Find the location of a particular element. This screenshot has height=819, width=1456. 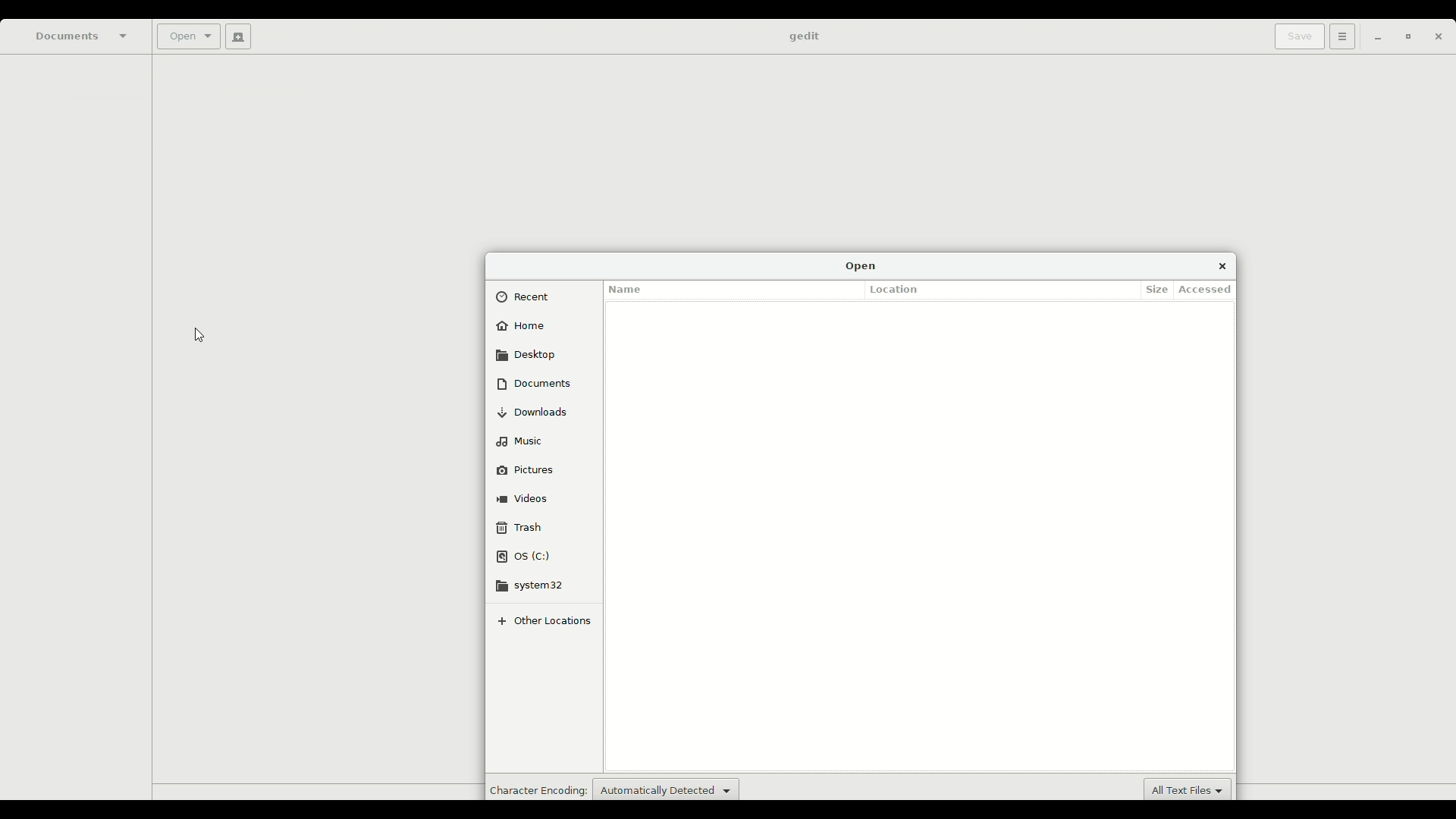

Name is located at coordinates (628, 286).